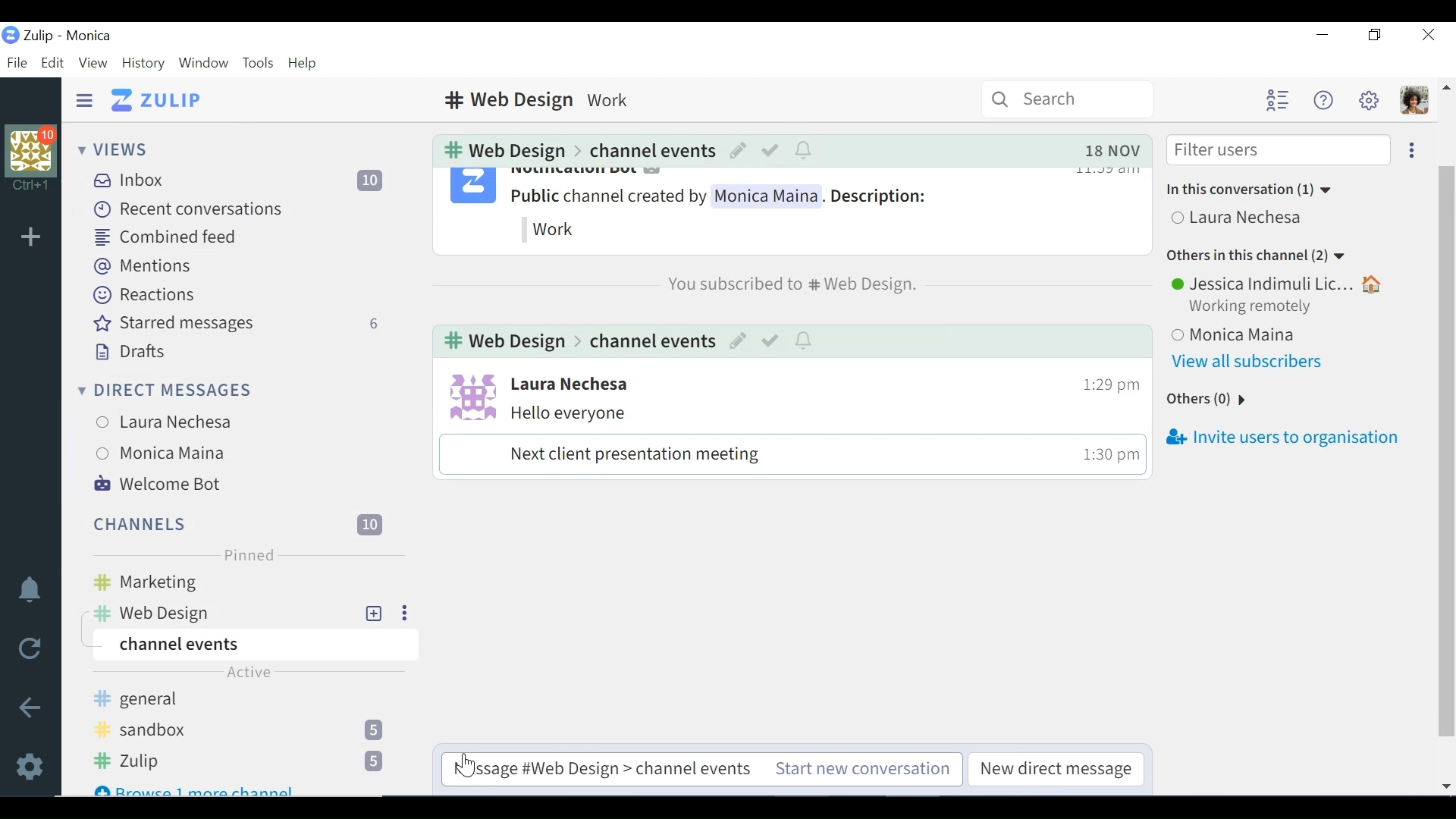 The height and width of the screenshot is (819, 1456). Describe the element at coordinates (1376, 36) in the screenshot. I see `Restore` at that location.